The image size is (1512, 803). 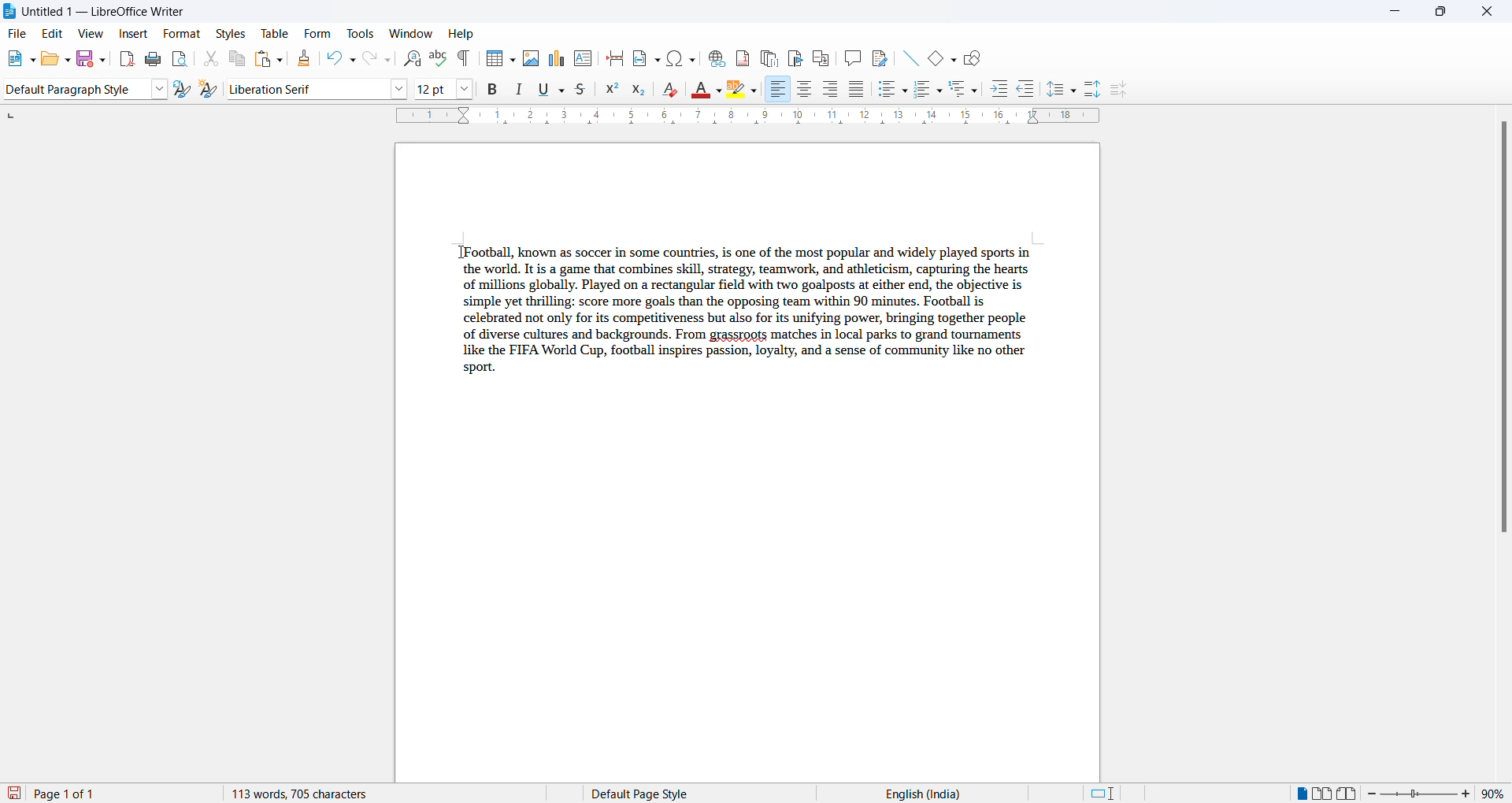 I want to click on toggle formatting marks, so click(x=465, y=60).